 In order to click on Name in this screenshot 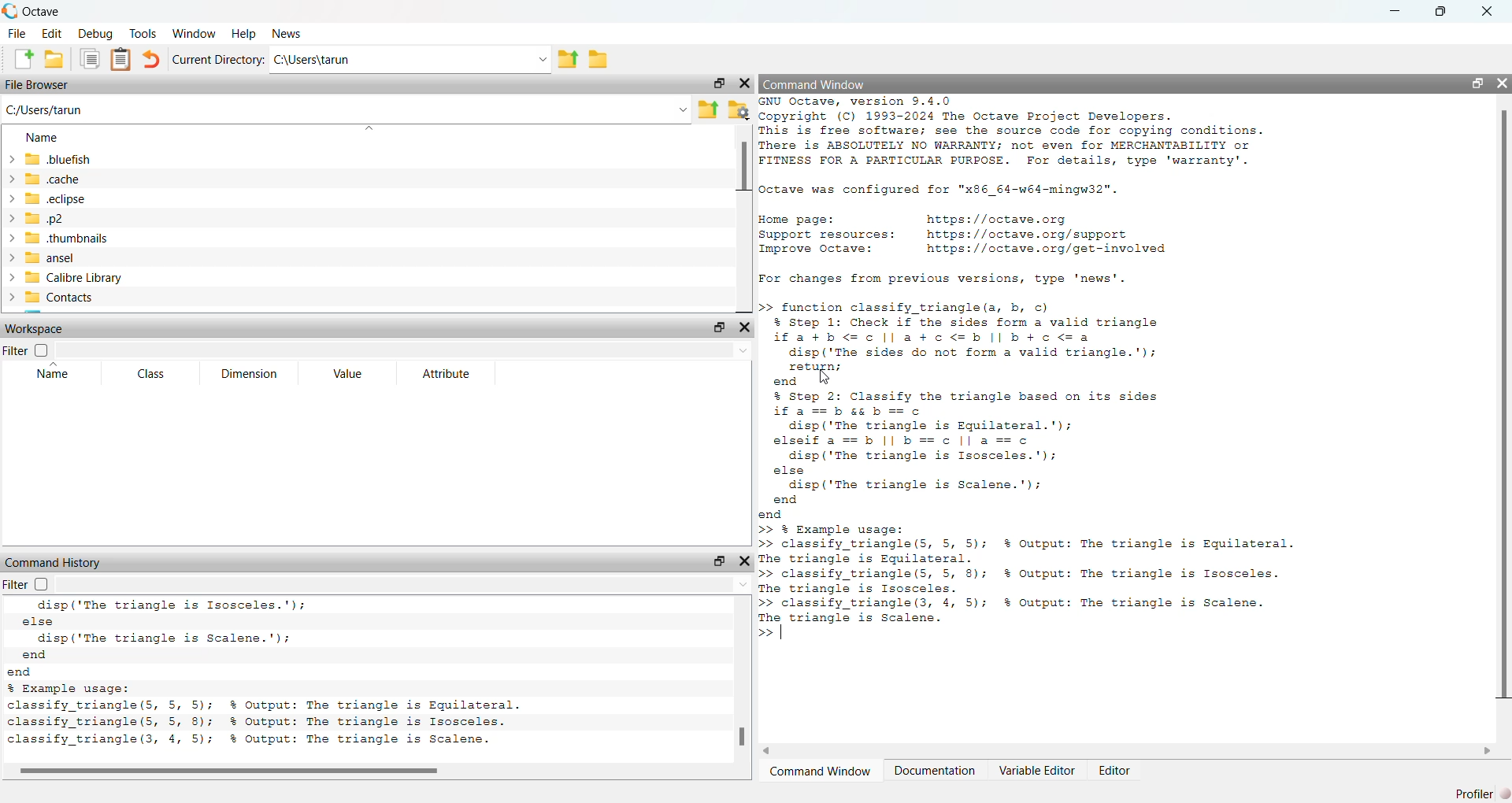, I will do `click(43, 136)`.